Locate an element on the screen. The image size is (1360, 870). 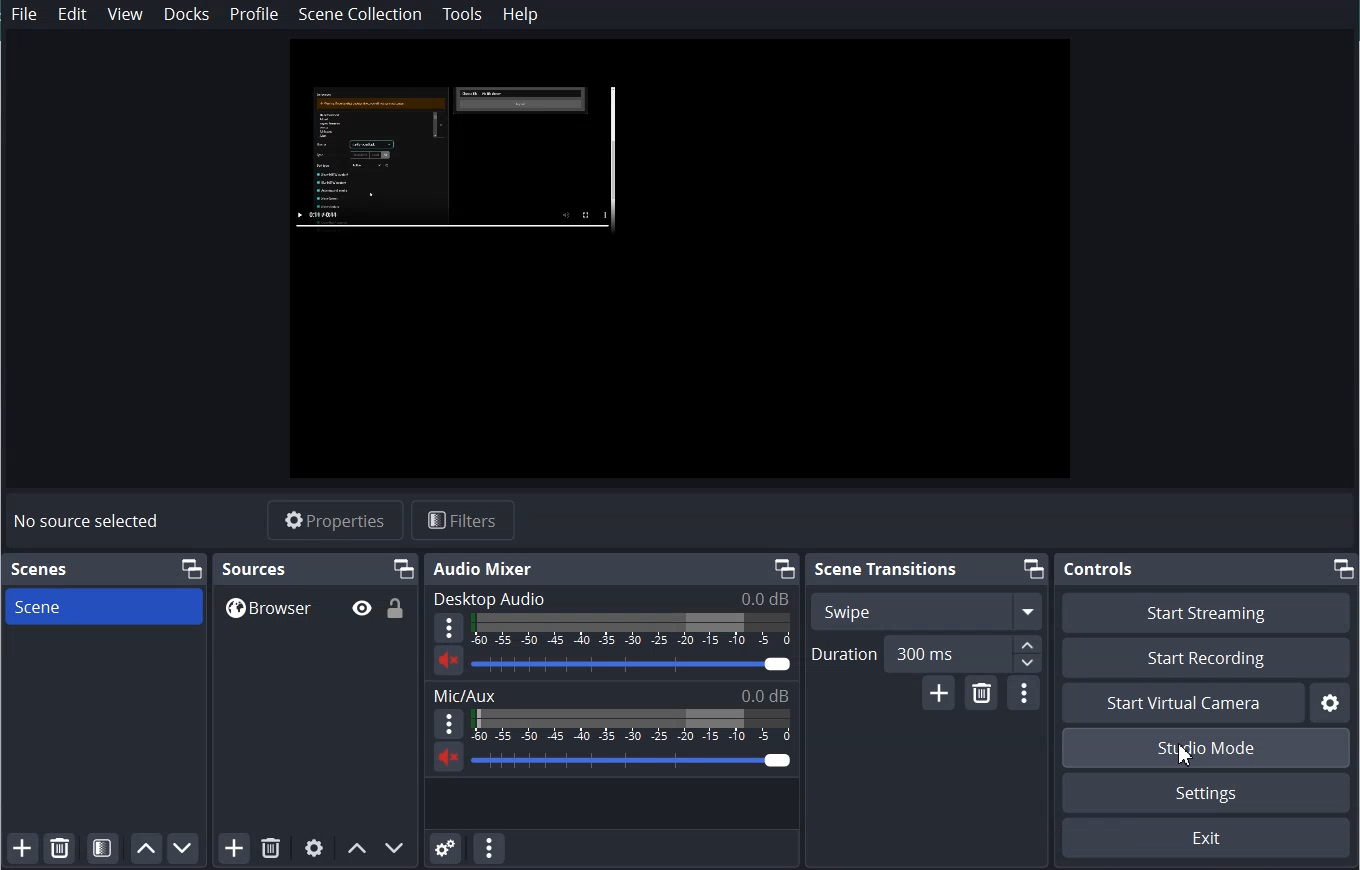
No source selected is located at coordinates (87, 521).